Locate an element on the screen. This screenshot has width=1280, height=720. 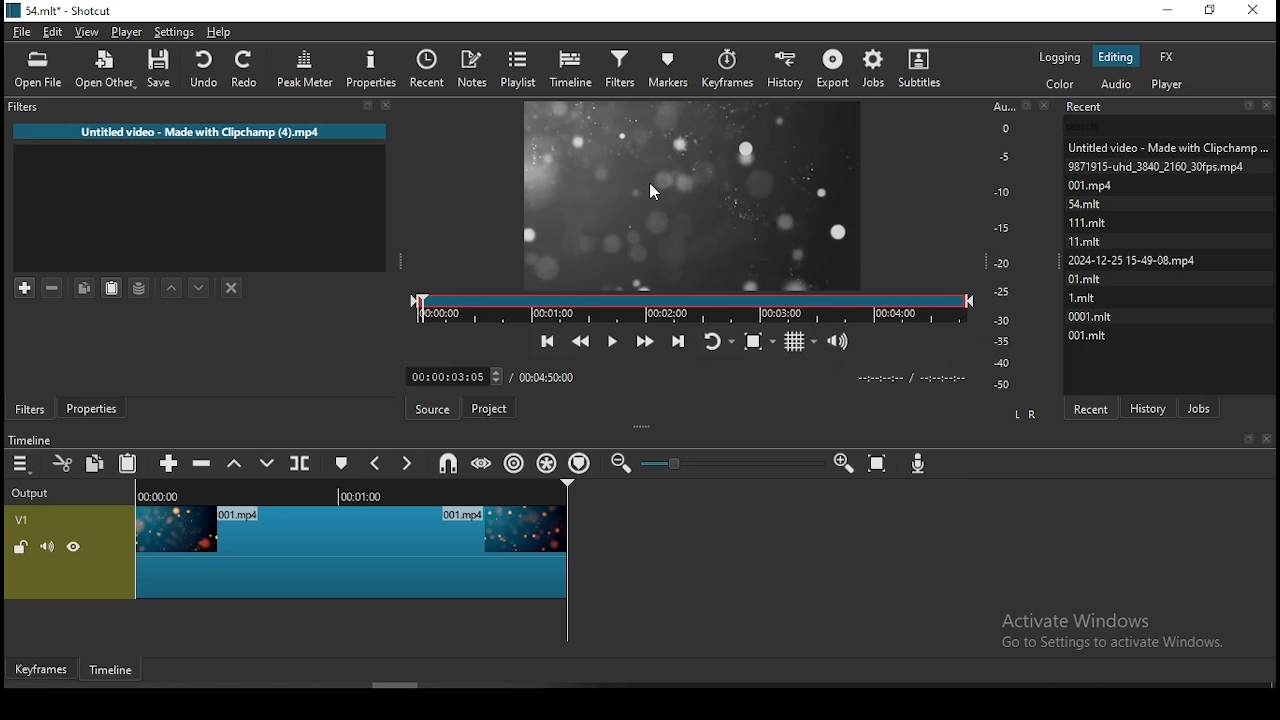
undo is located at coordinates (202, 68).